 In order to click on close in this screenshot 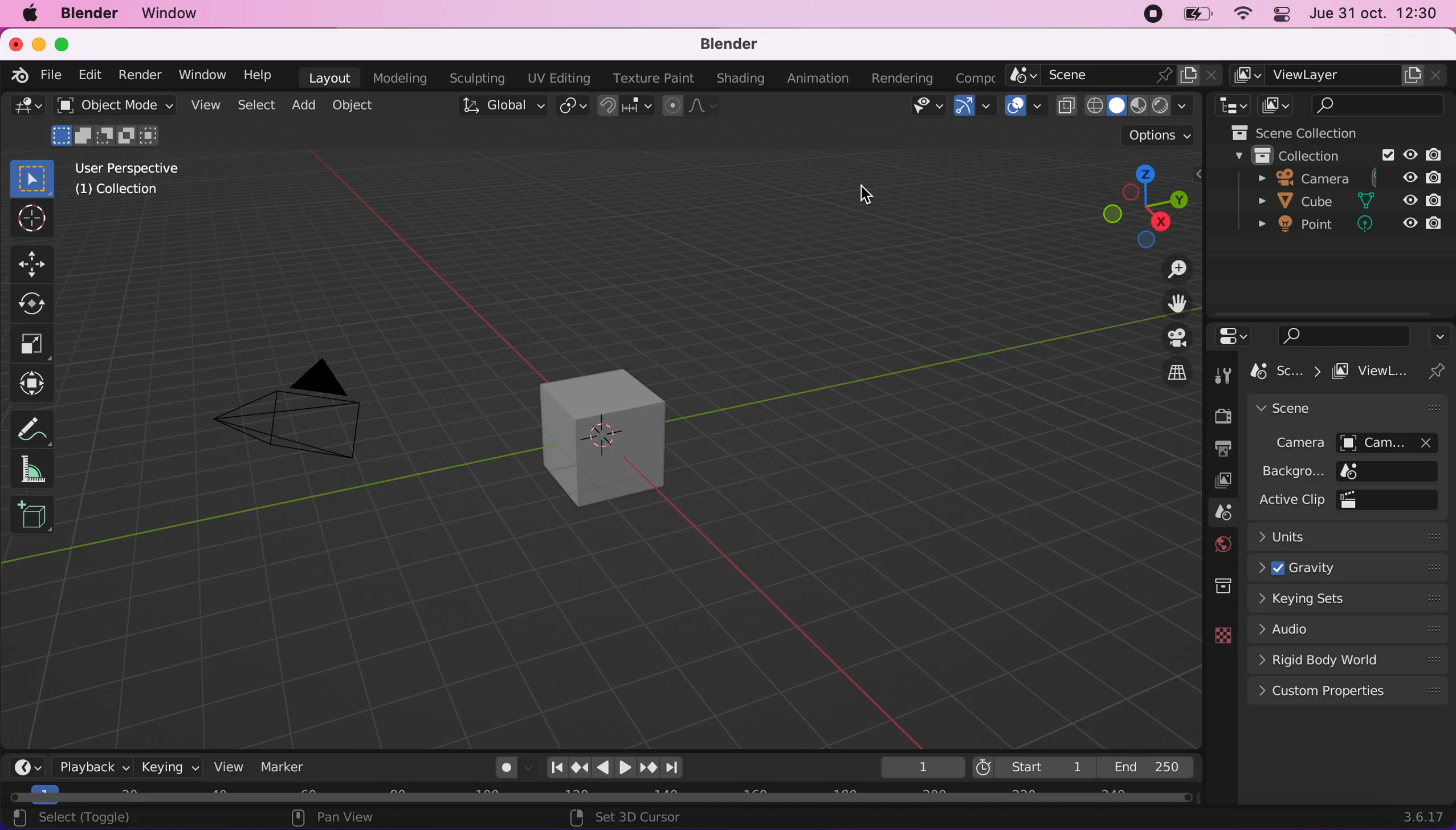, I will do `click(14, 43)`.